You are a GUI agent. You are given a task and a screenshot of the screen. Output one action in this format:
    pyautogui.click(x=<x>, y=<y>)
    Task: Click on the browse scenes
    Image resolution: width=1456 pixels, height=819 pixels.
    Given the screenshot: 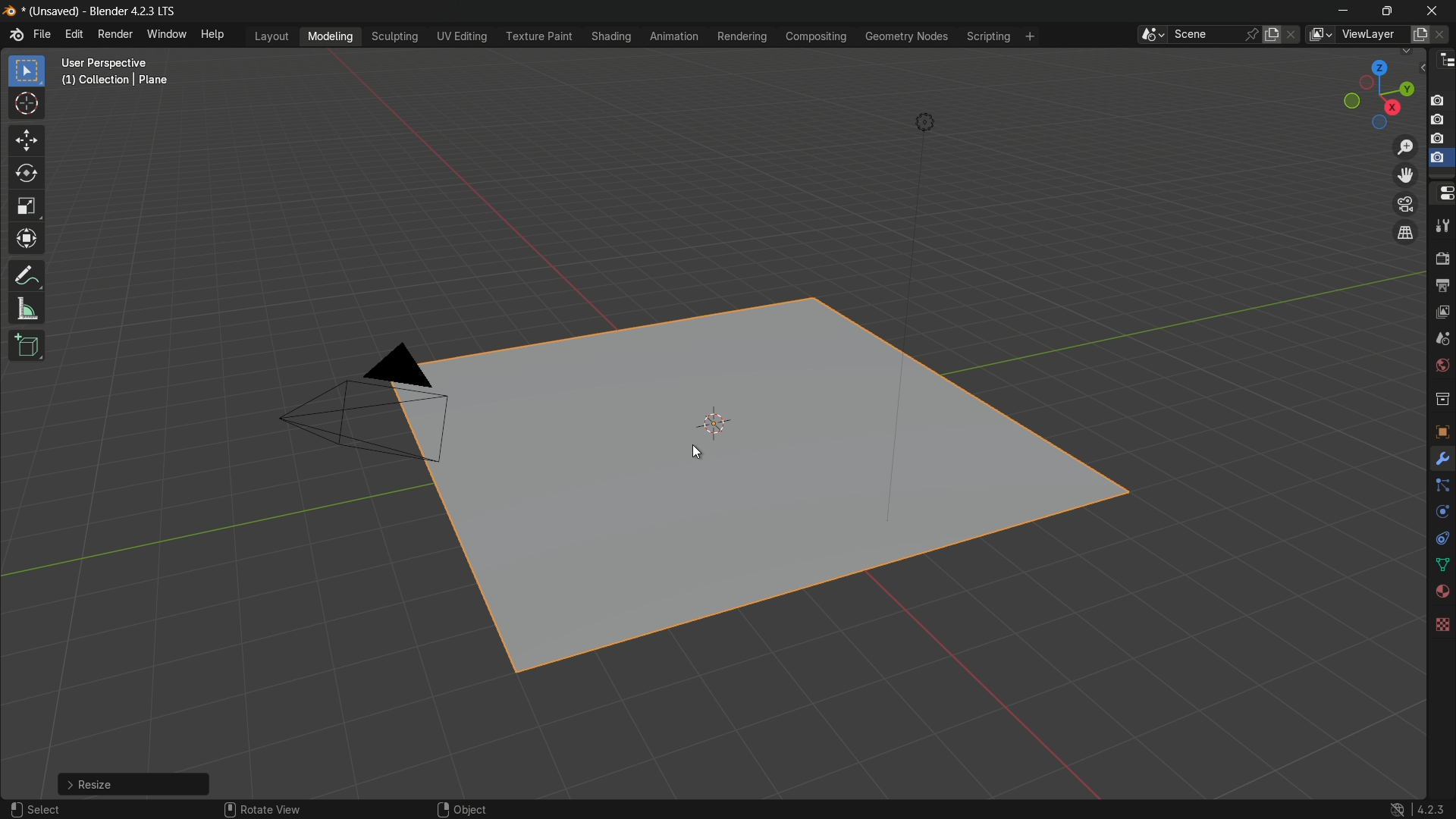 What is the action you would take?
    pyautogui.click(x=1142, y=33)
    